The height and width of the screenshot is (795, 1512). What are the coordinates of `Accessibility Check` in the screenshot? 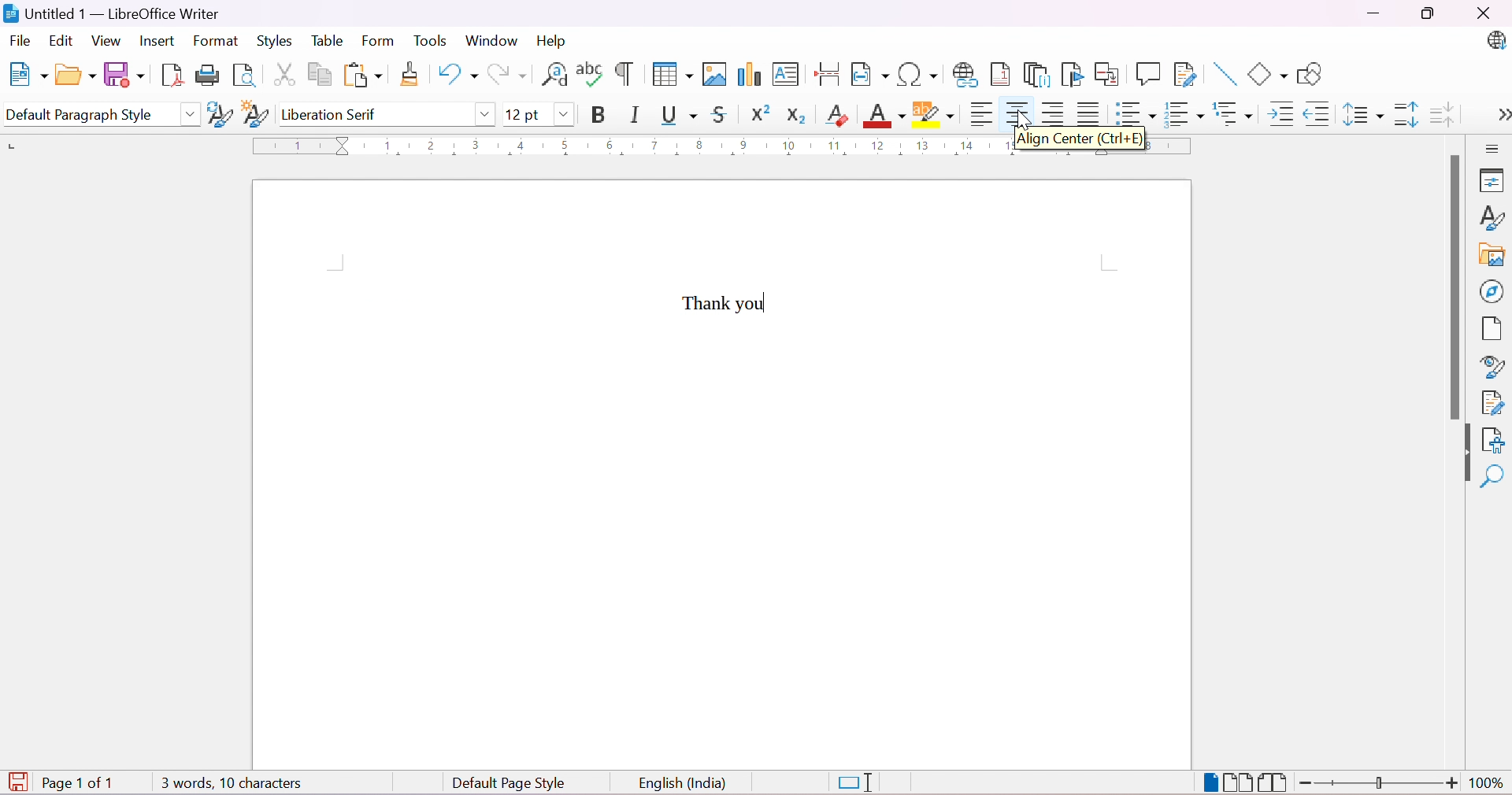 It's located at (1494, 441).